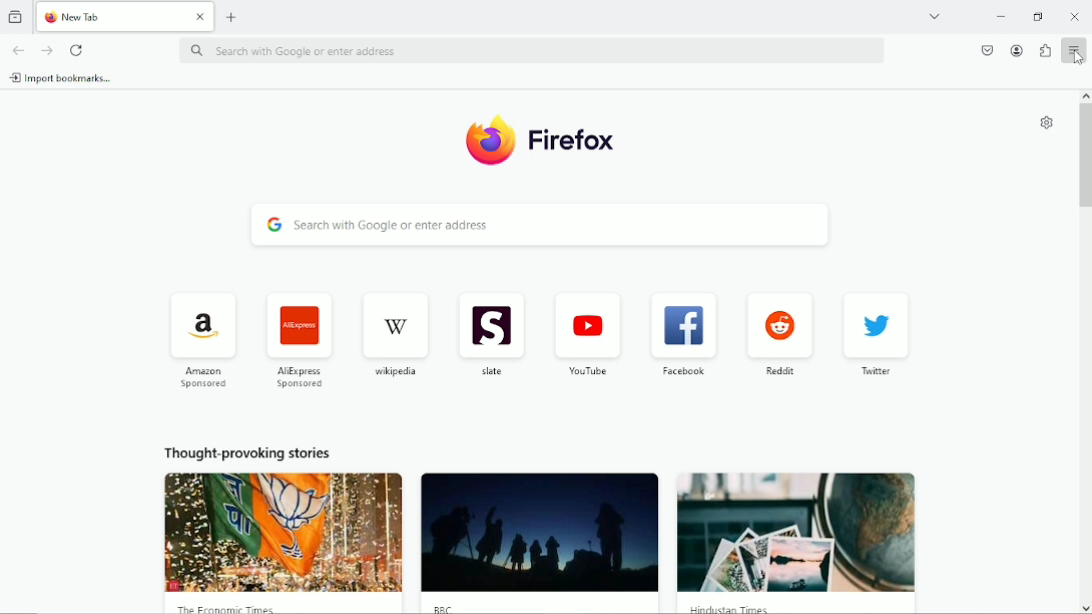 This screenshot has width=1092, height=614. I want to click on import bookmarks, so click(66, 79).